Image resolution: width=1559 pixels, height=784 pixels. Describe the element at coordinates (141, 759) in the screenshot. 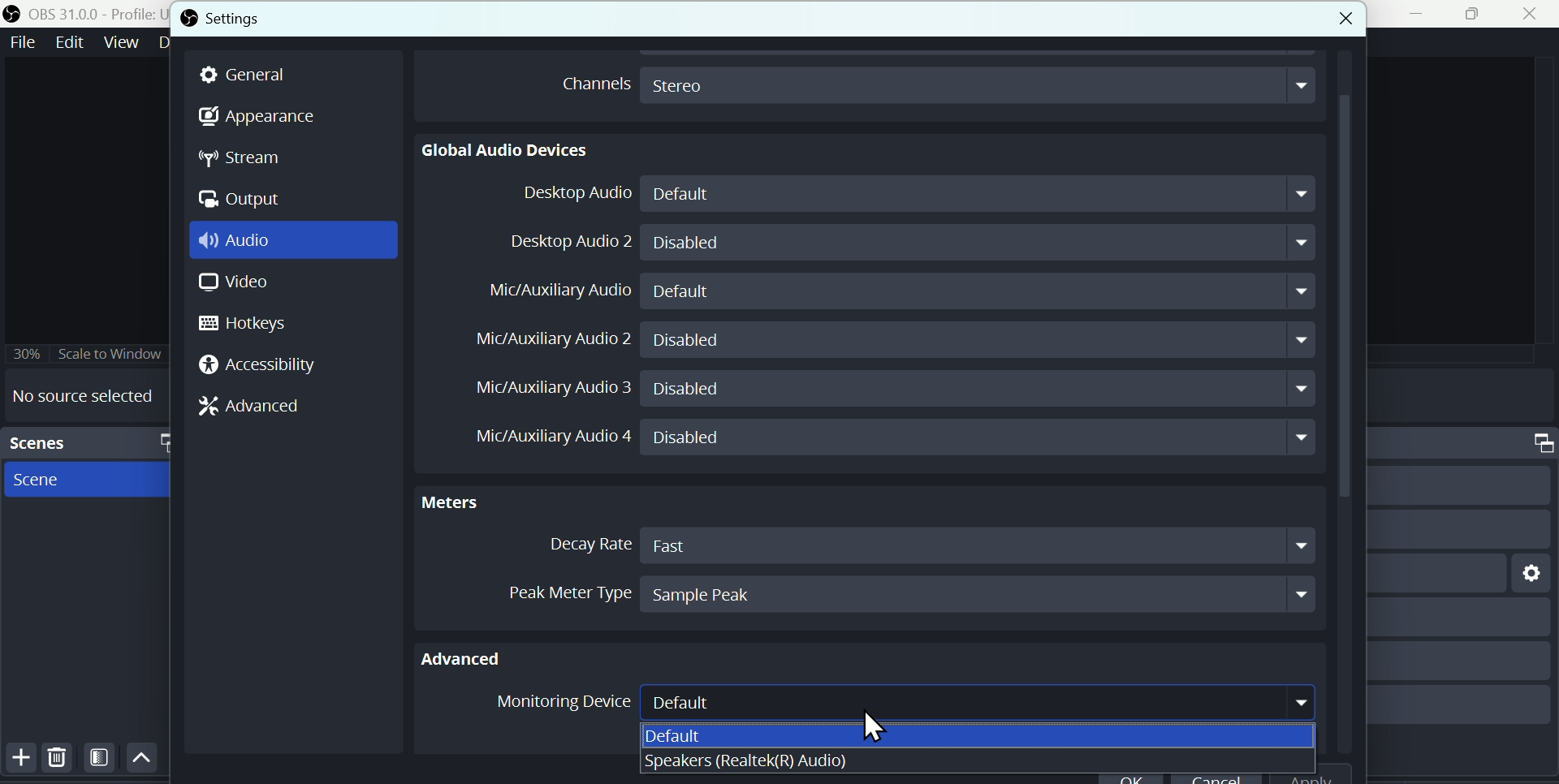

I see `Up` at that location.